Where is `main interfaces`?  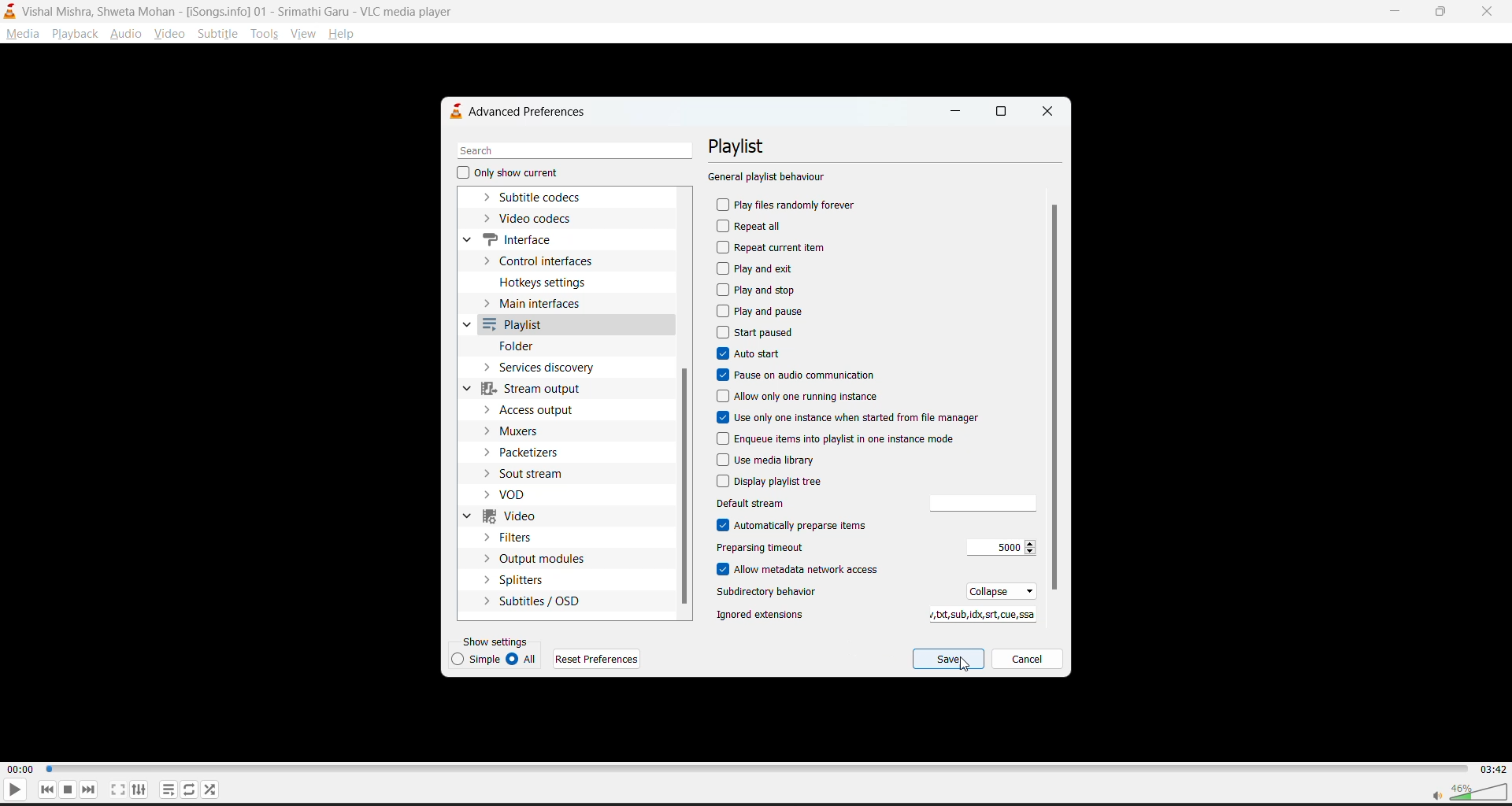 main interfaces is located at coordinates (539, 305).